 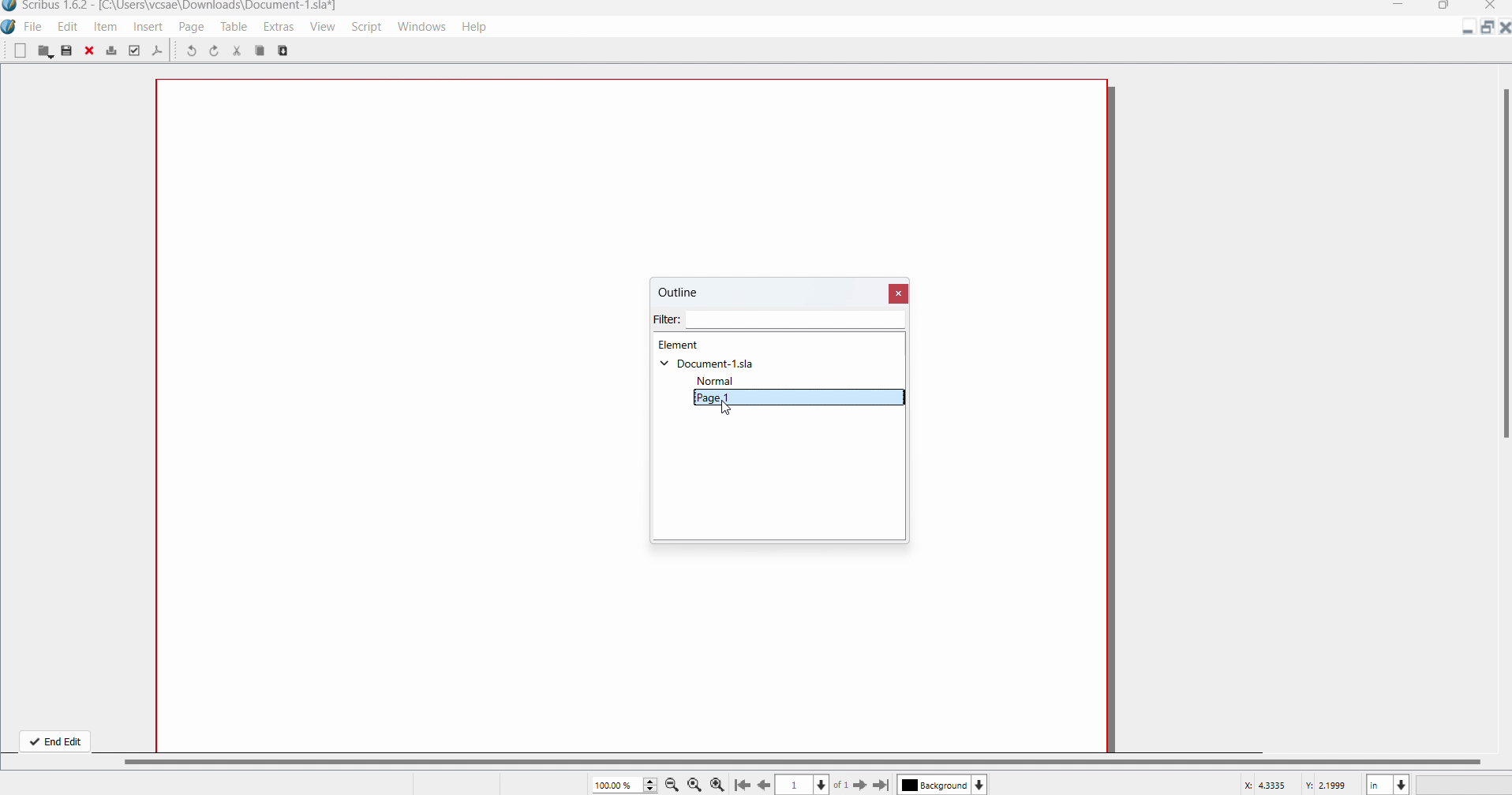 I want to click on copy, so click(x=289, y=51).